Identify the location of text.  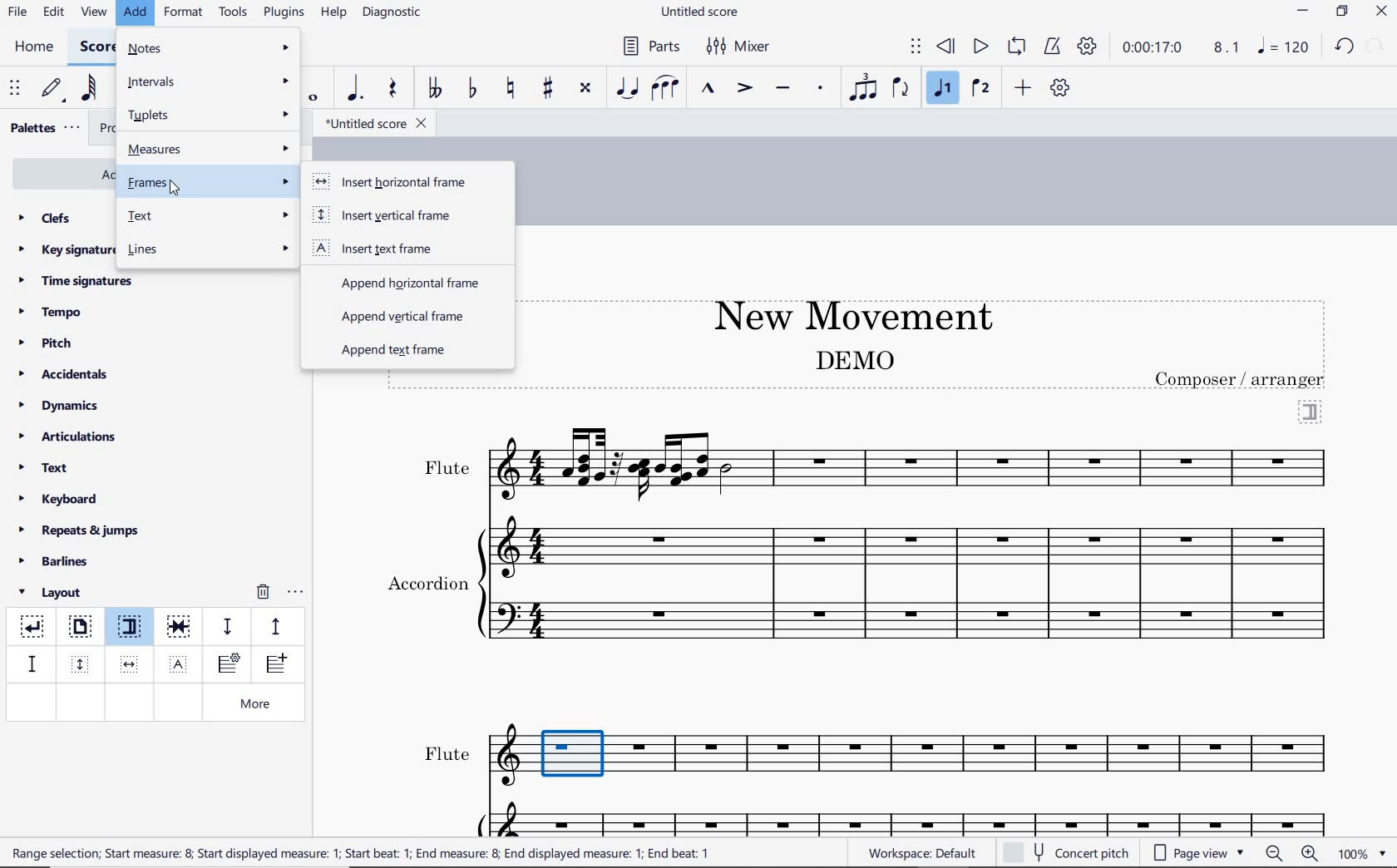
(853, 359).